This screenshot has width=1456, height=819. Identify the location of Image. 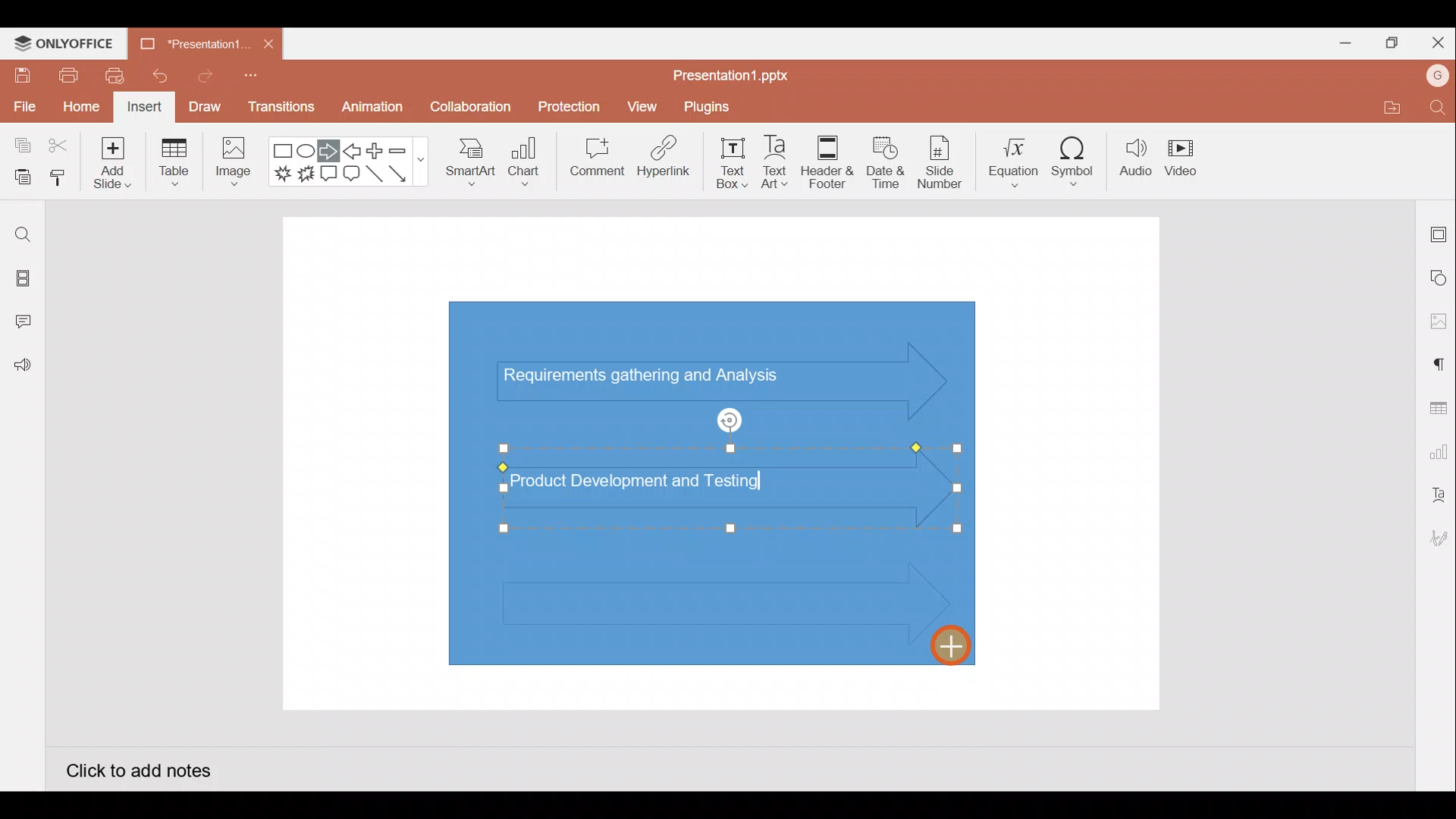
(231, 165).